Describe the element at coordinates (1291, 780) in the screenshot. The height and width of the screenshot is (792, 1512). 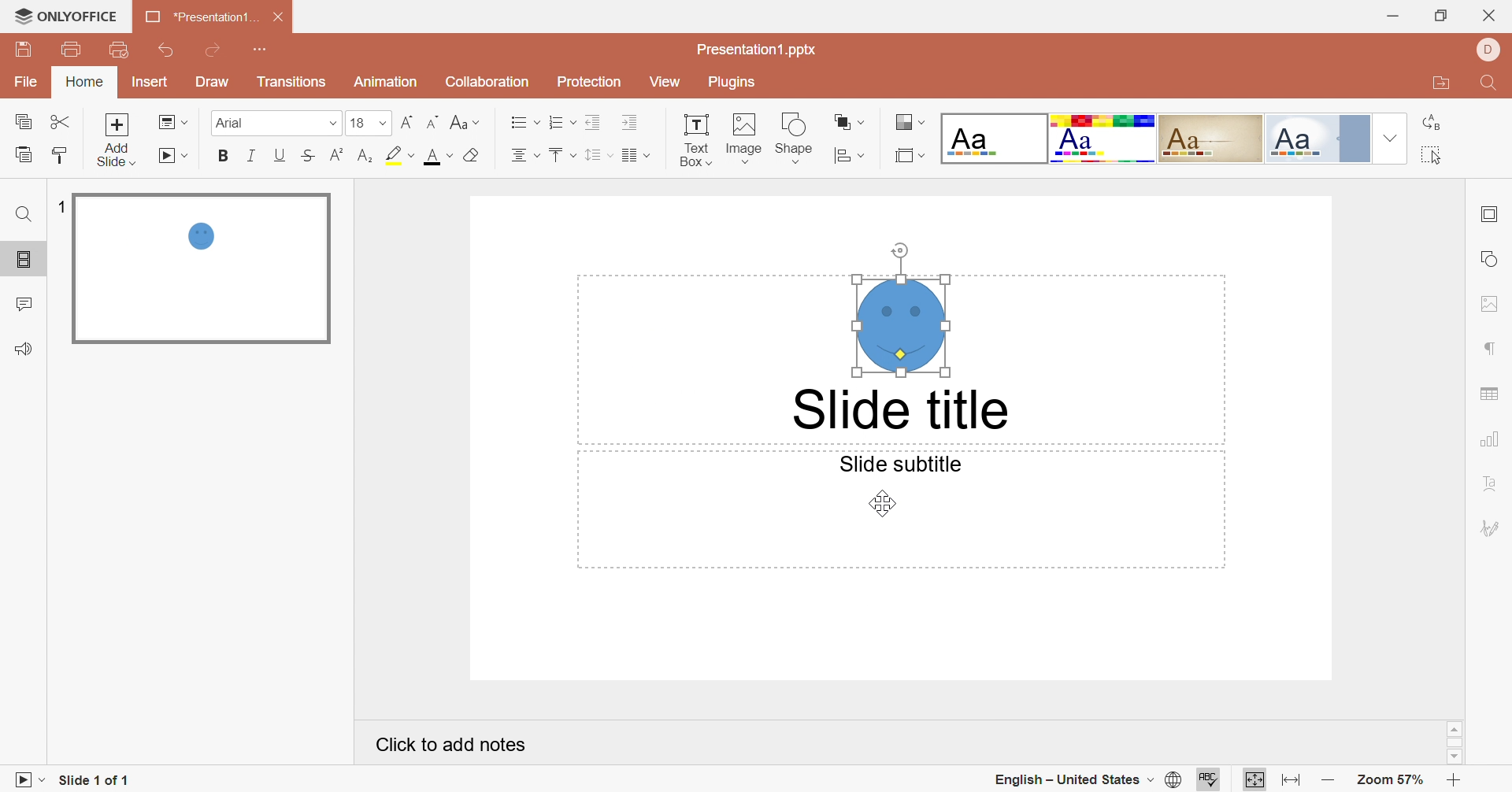
I see `Fit to width` at that location.